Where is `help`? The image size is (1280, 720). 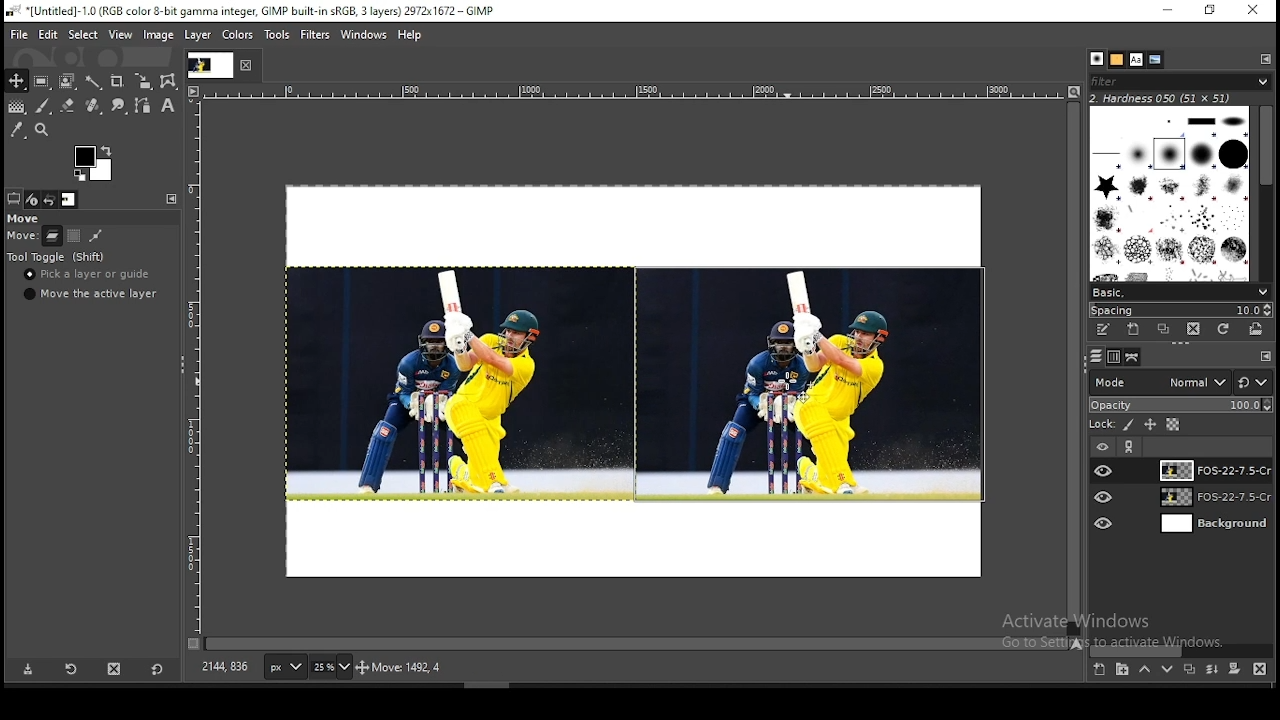
help is located at coordinates (410, 37).